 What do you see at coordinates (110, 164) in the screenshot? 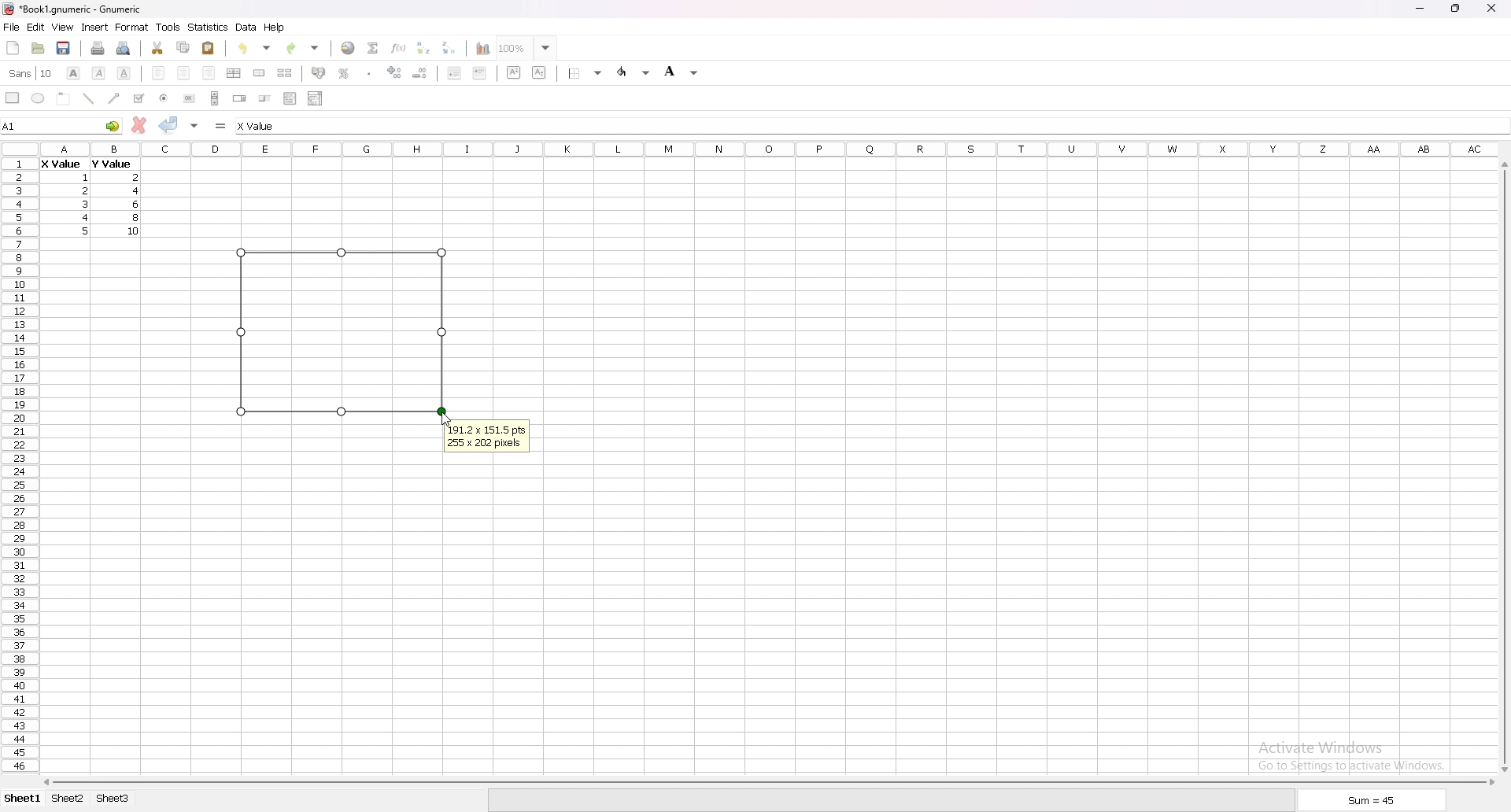
I see `value` at bounding box center [110, 164].